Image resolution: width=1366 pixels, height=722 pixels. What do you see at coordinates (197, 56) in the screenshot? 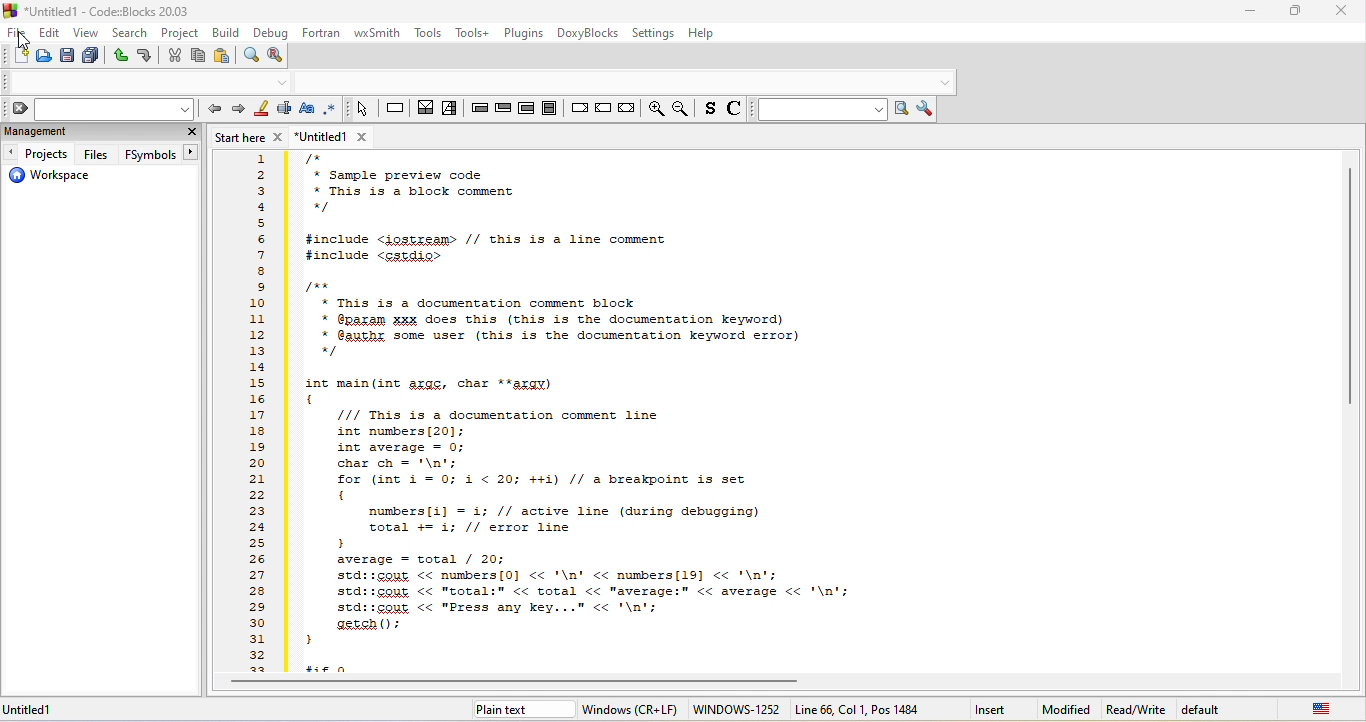
I see `copy` at bounding box center [197, 56].